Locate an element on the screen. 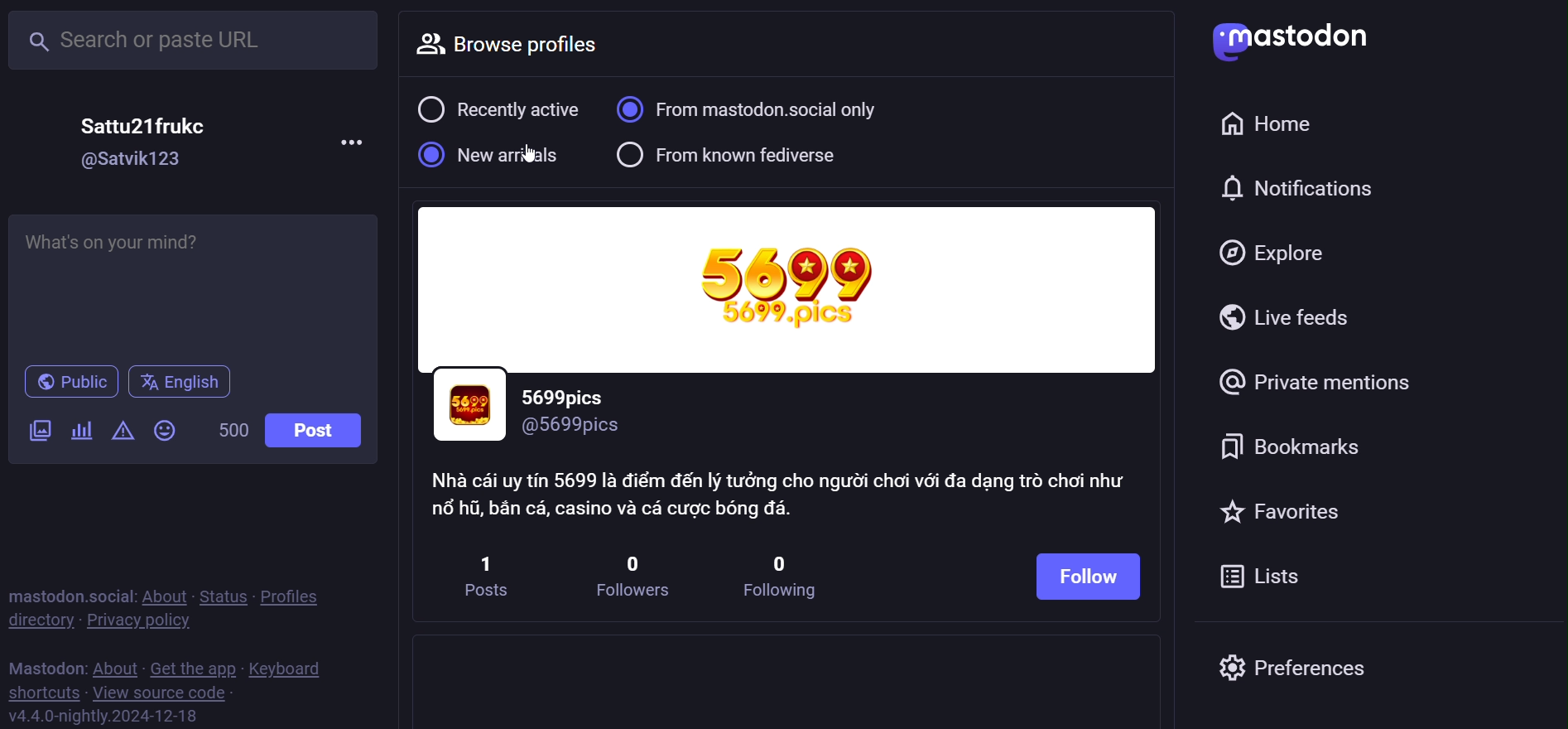  Mastodon is located at coordinates (1315, 38).